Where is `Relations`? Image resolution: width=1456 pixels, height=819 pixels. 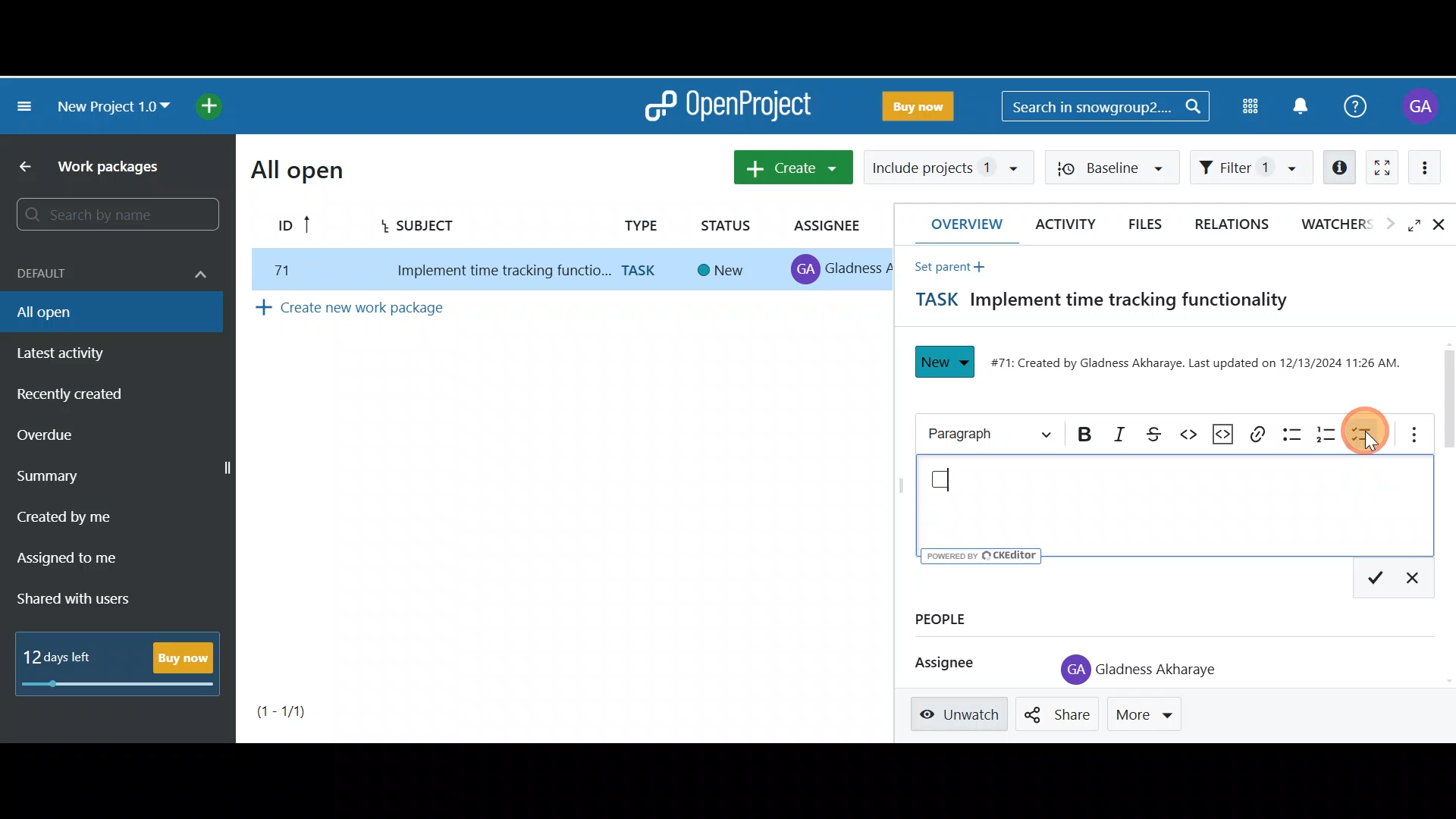 Relations is located at coordinates (1233, 223).